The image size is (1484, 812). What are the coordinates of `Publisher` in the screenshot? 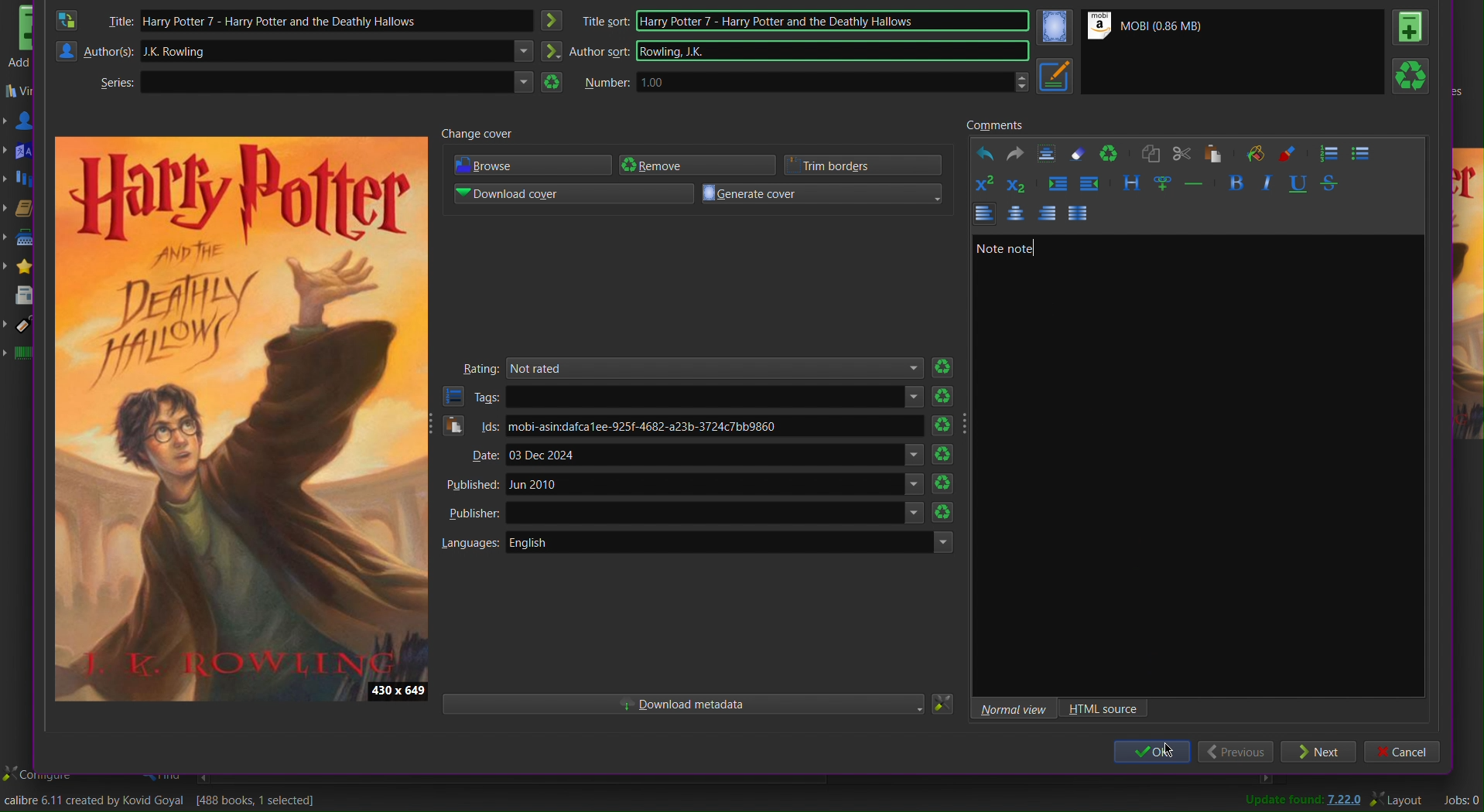 It's located at (470, 514).